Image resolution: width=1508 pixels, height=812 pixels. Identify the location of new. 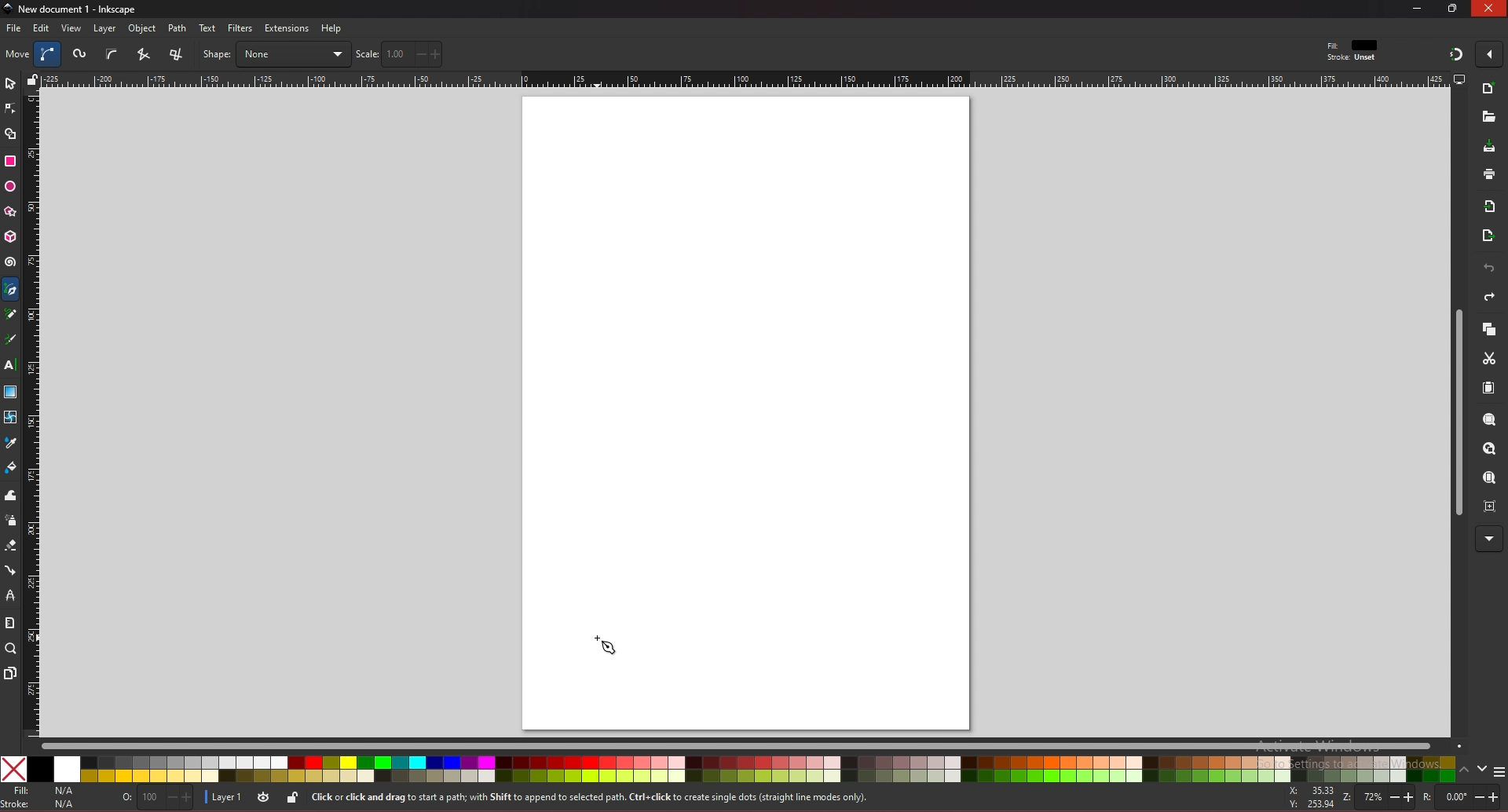
(1489, 90).